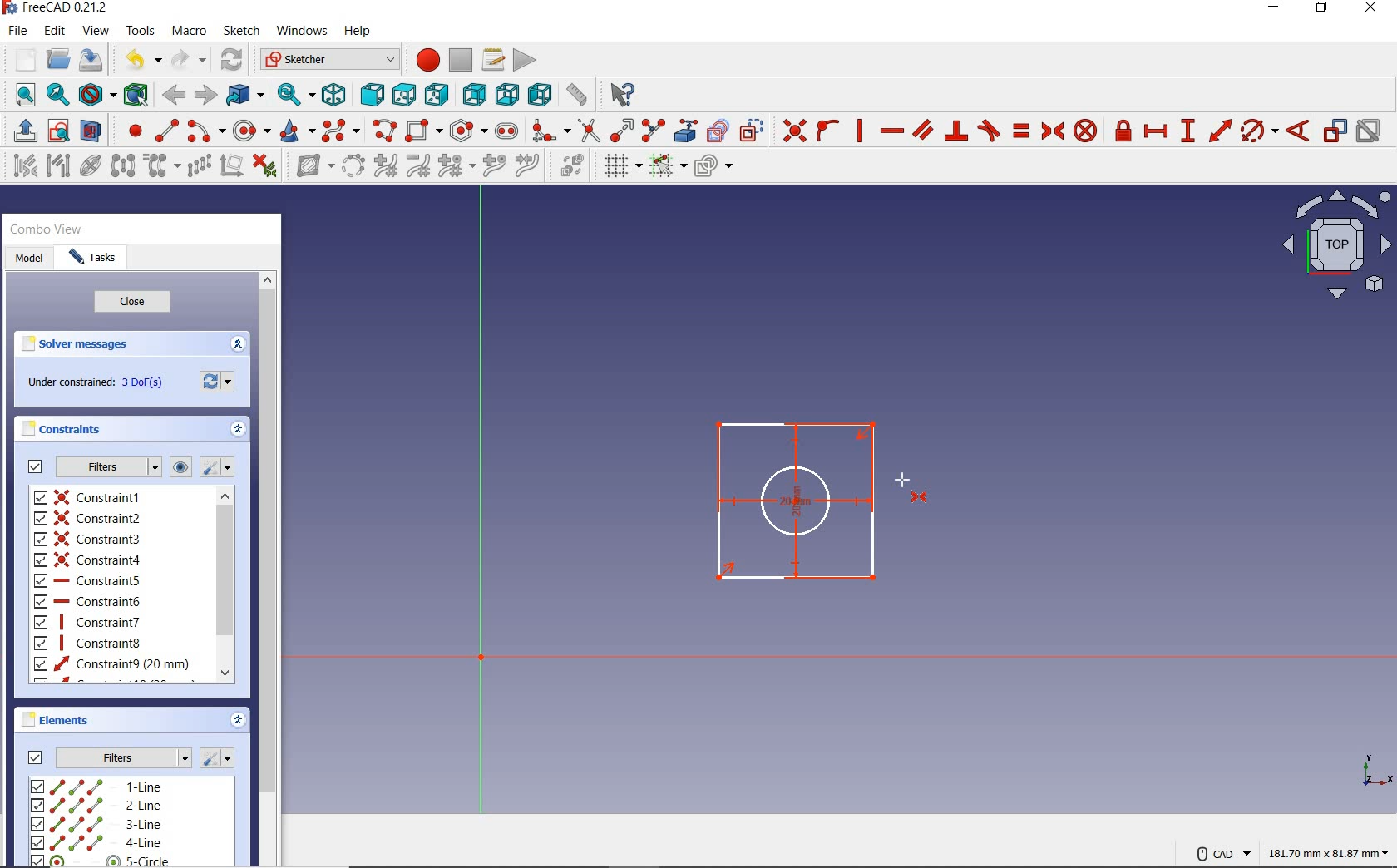 This screenshot has height=868, width=1397. I want to click on toggle snap, so click(669, 165).